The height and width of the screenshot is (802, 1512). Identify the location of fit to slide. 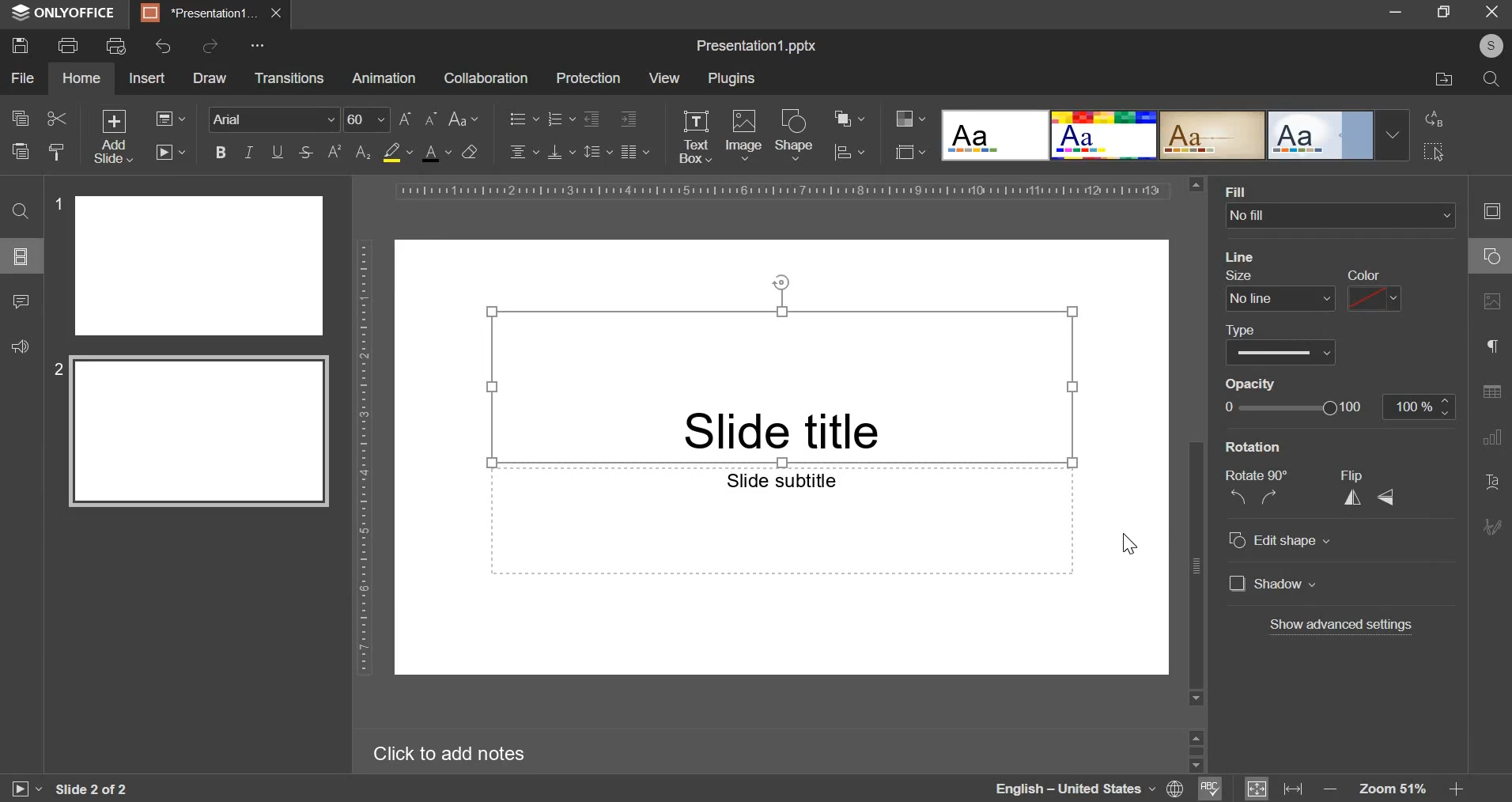
(1257, 789).